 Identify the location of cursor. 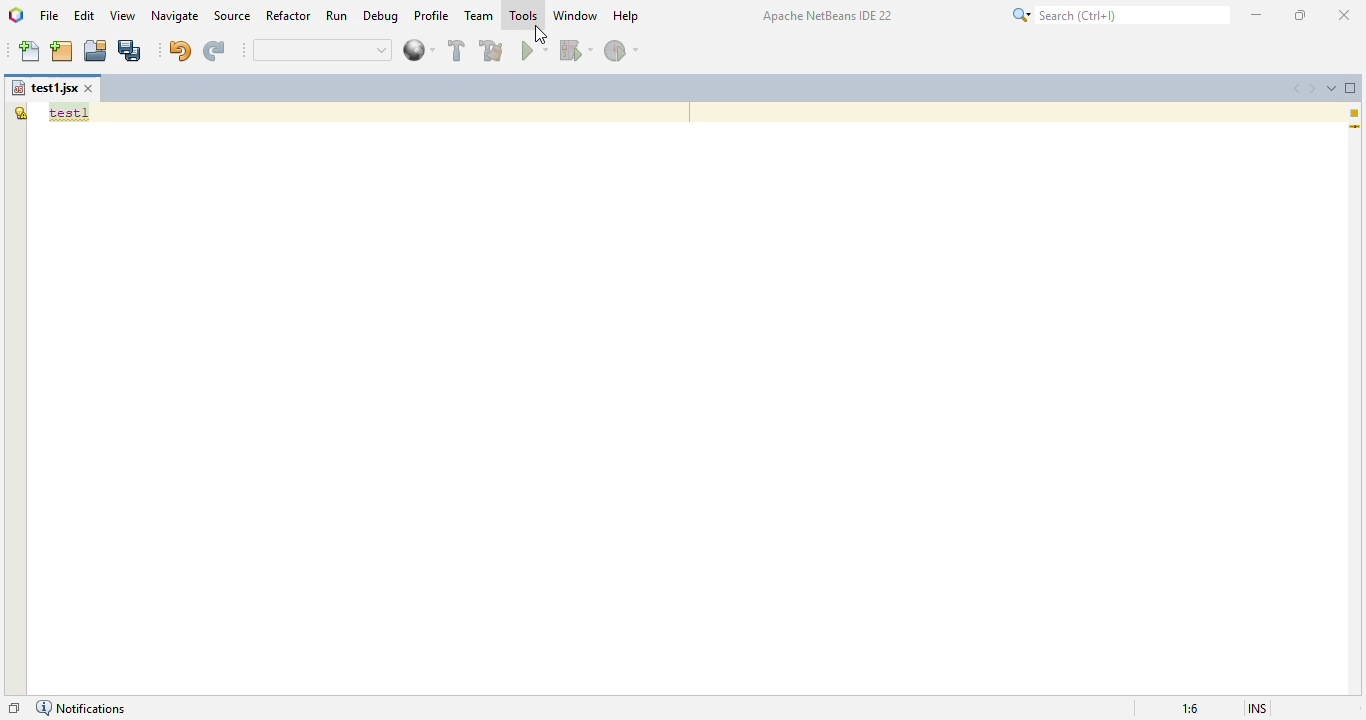
(540, 35).